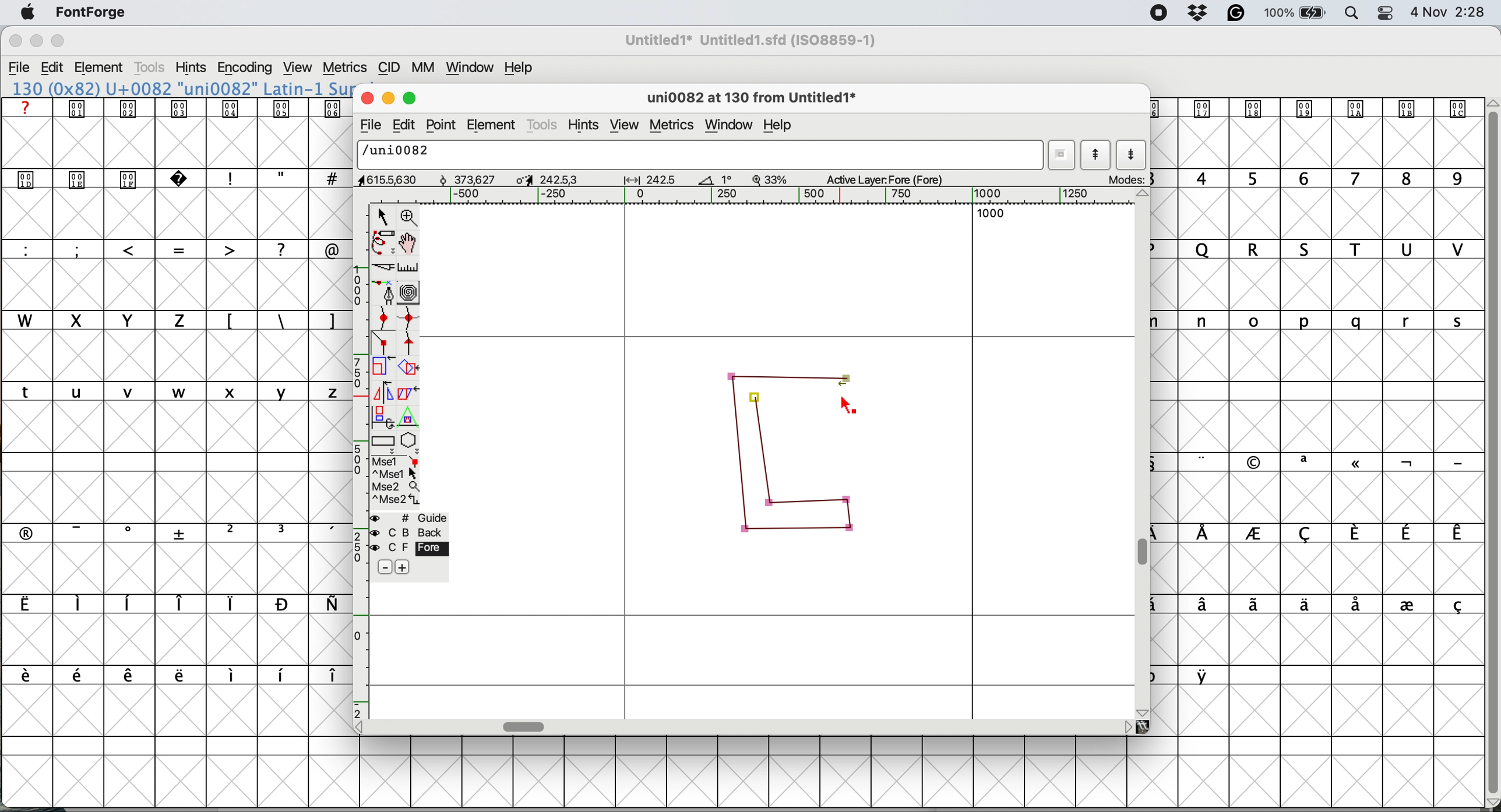  Describe the element at coordinates (397, 482) in the screenshot. I see `selections` at that location.